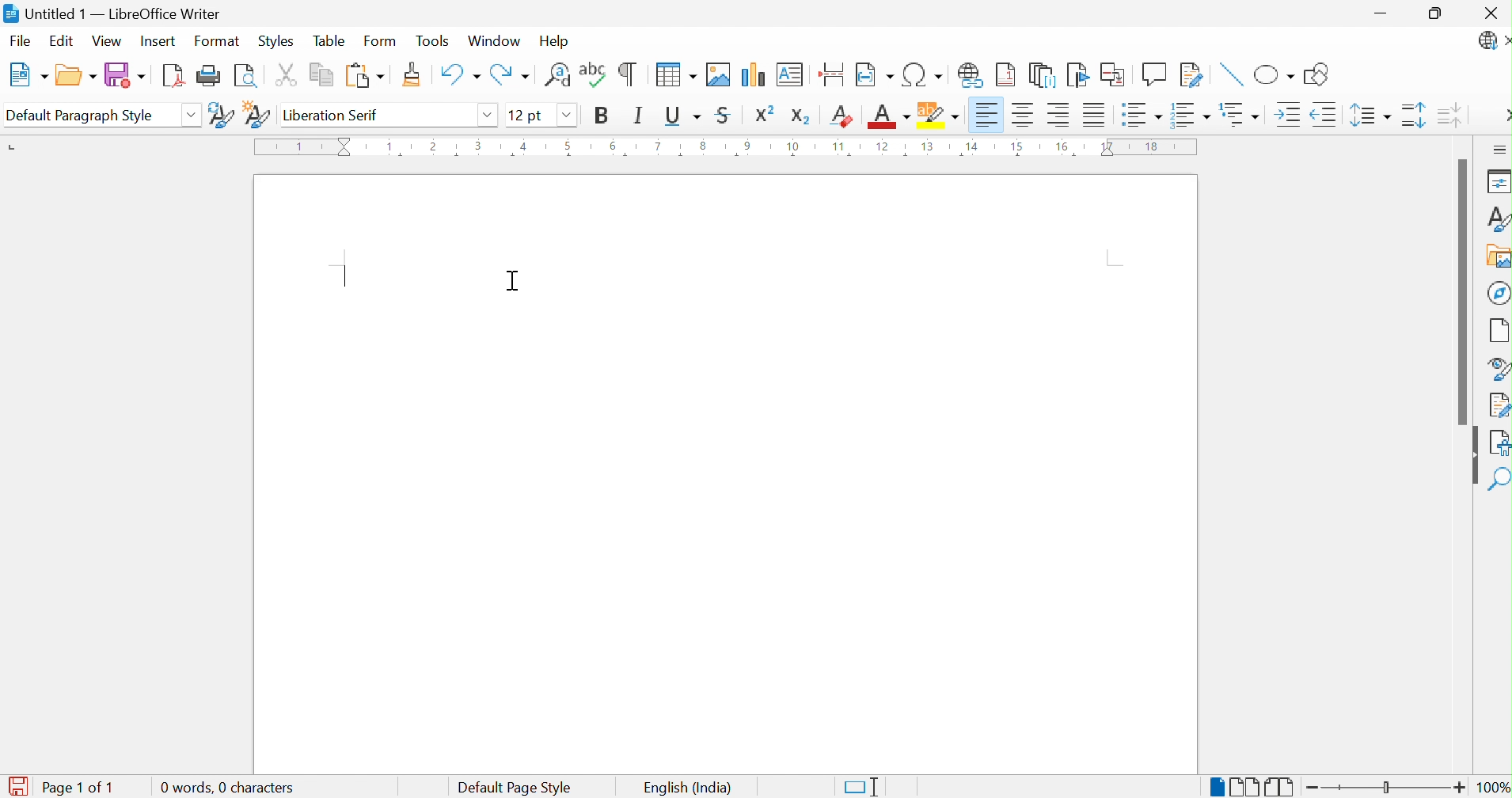 The width and height of the screenshot is (1512, 798). I want to click on Standard Selection. Click to change selection mode., so click(862, 785).